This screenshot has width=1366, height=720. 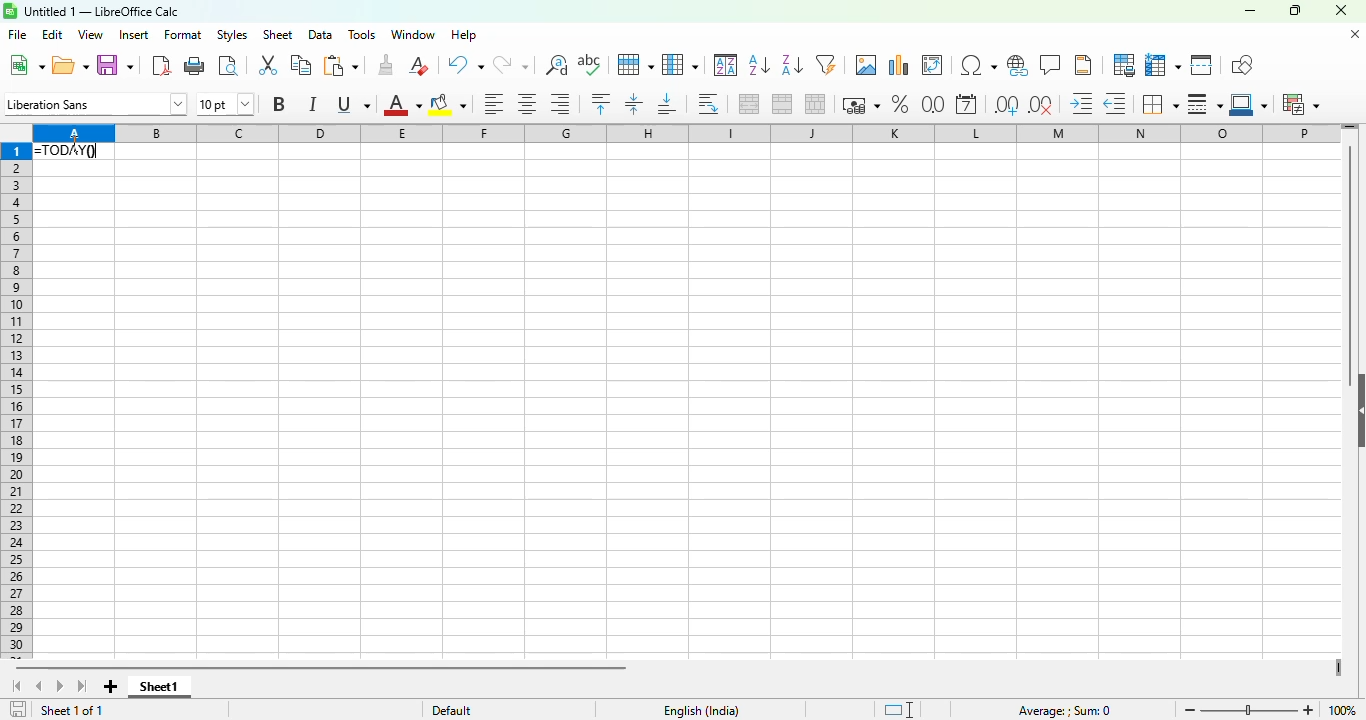 What do you see at coordinates (1201, 65) in the screenshot?
I see `split window` at bounding box center [1201, 65].